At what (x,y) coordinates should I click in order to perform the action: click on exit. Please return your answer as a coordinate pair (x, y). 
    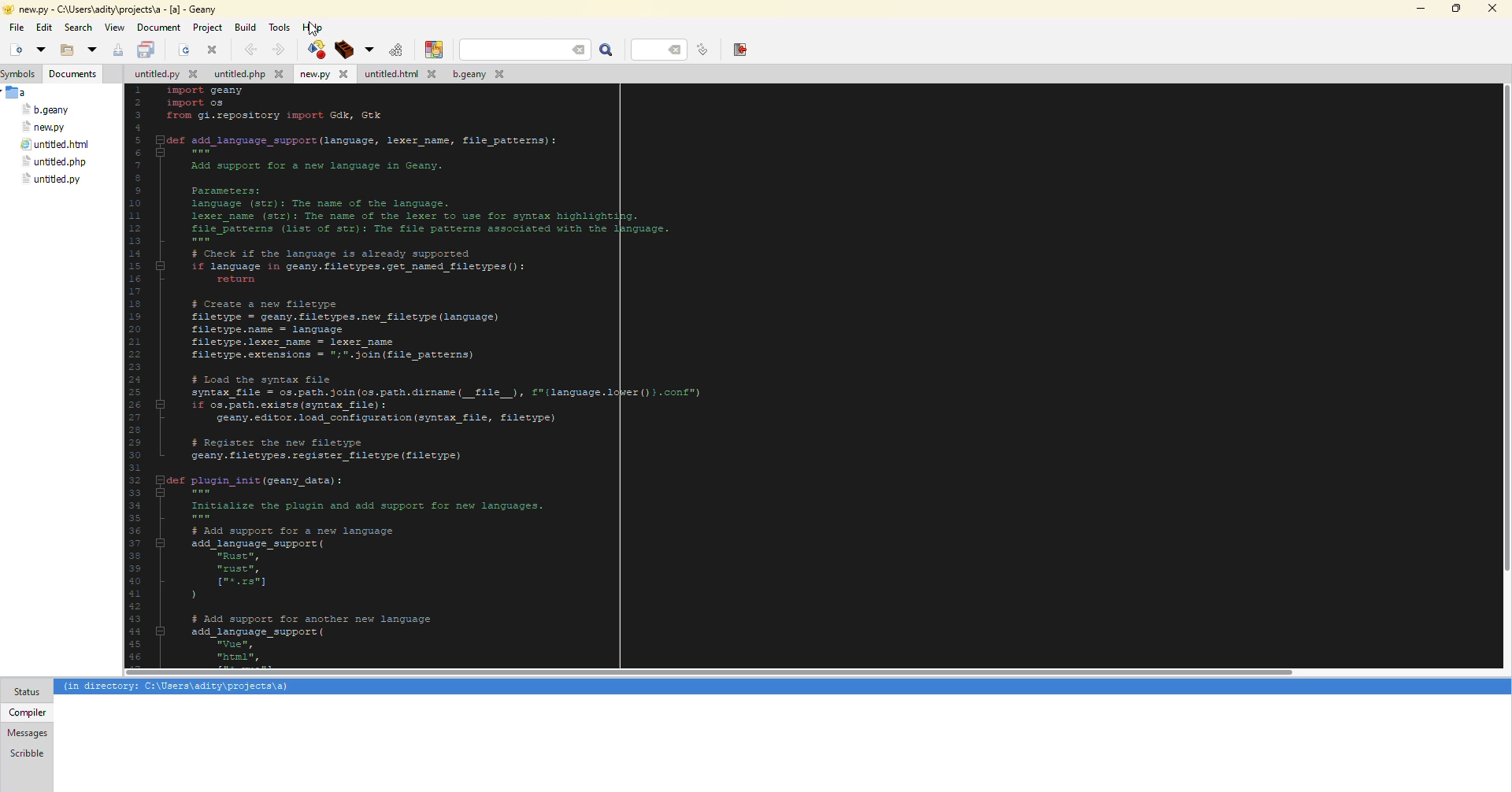
    Looking at the image, I should click on (739, 49).